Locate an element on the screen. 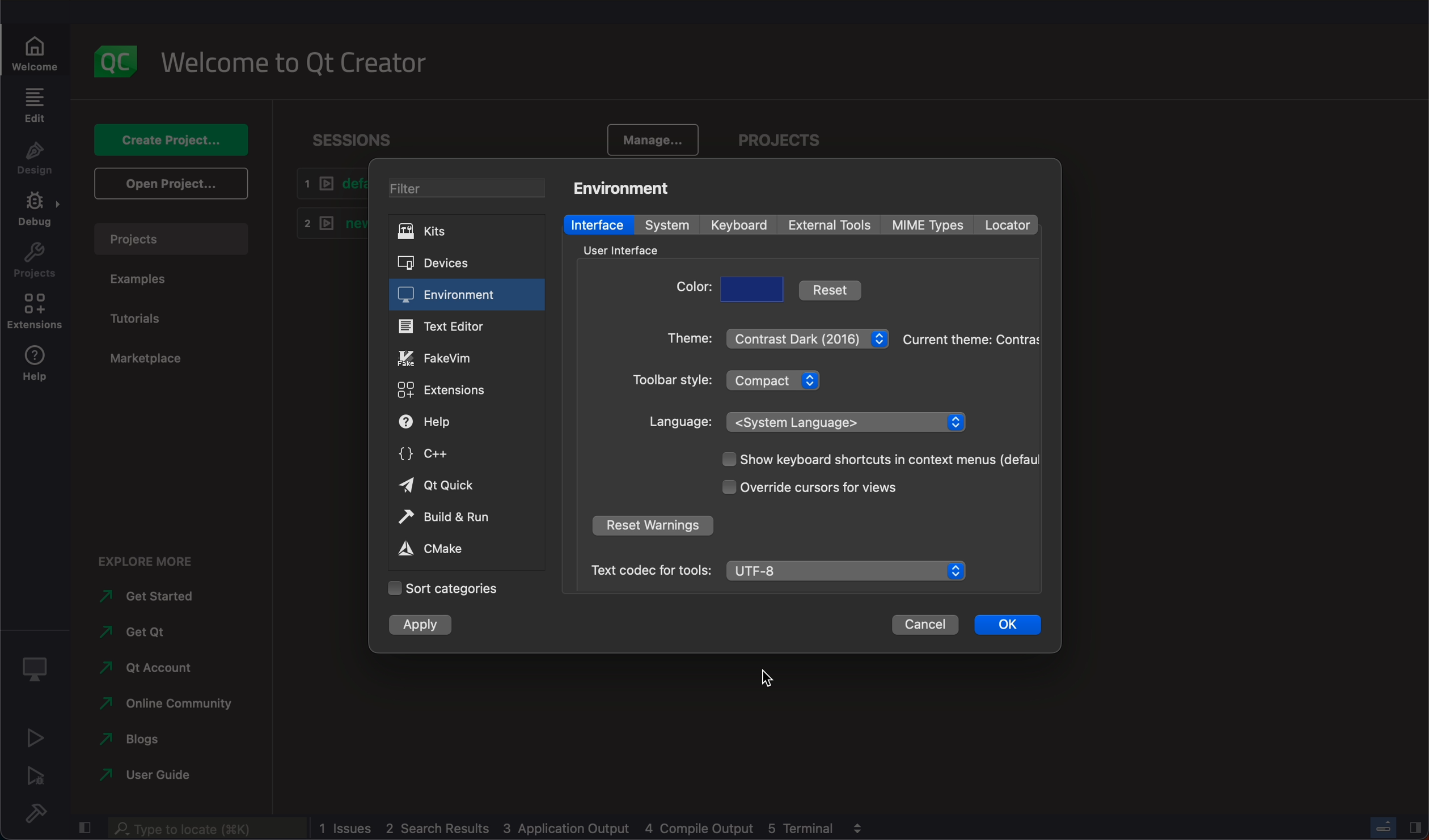 This screenshot has height=840, width=1429. theme choices is located at coordinates (808, 336).